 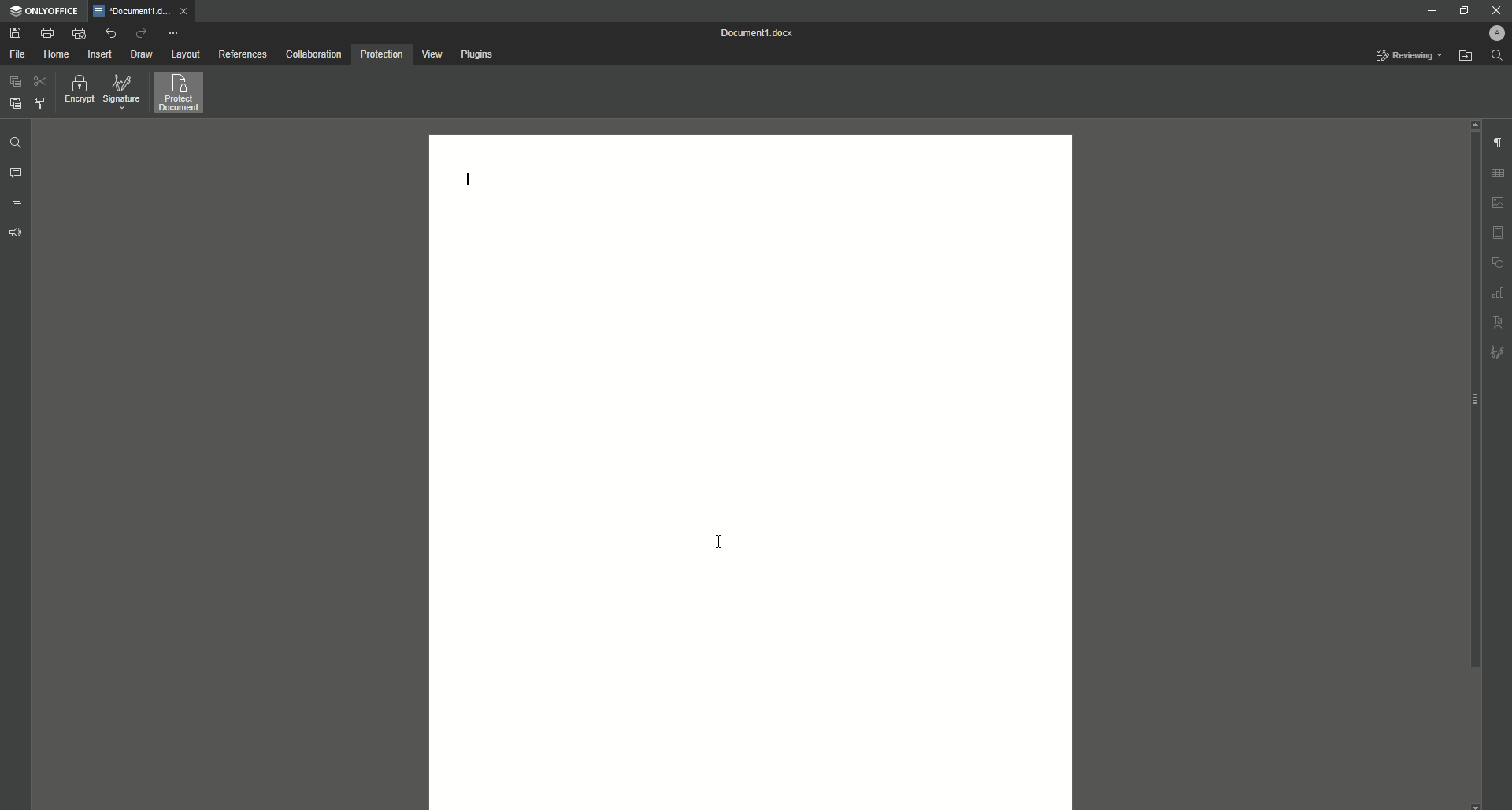 I want to click on Paste, so click(x=13, y=103).